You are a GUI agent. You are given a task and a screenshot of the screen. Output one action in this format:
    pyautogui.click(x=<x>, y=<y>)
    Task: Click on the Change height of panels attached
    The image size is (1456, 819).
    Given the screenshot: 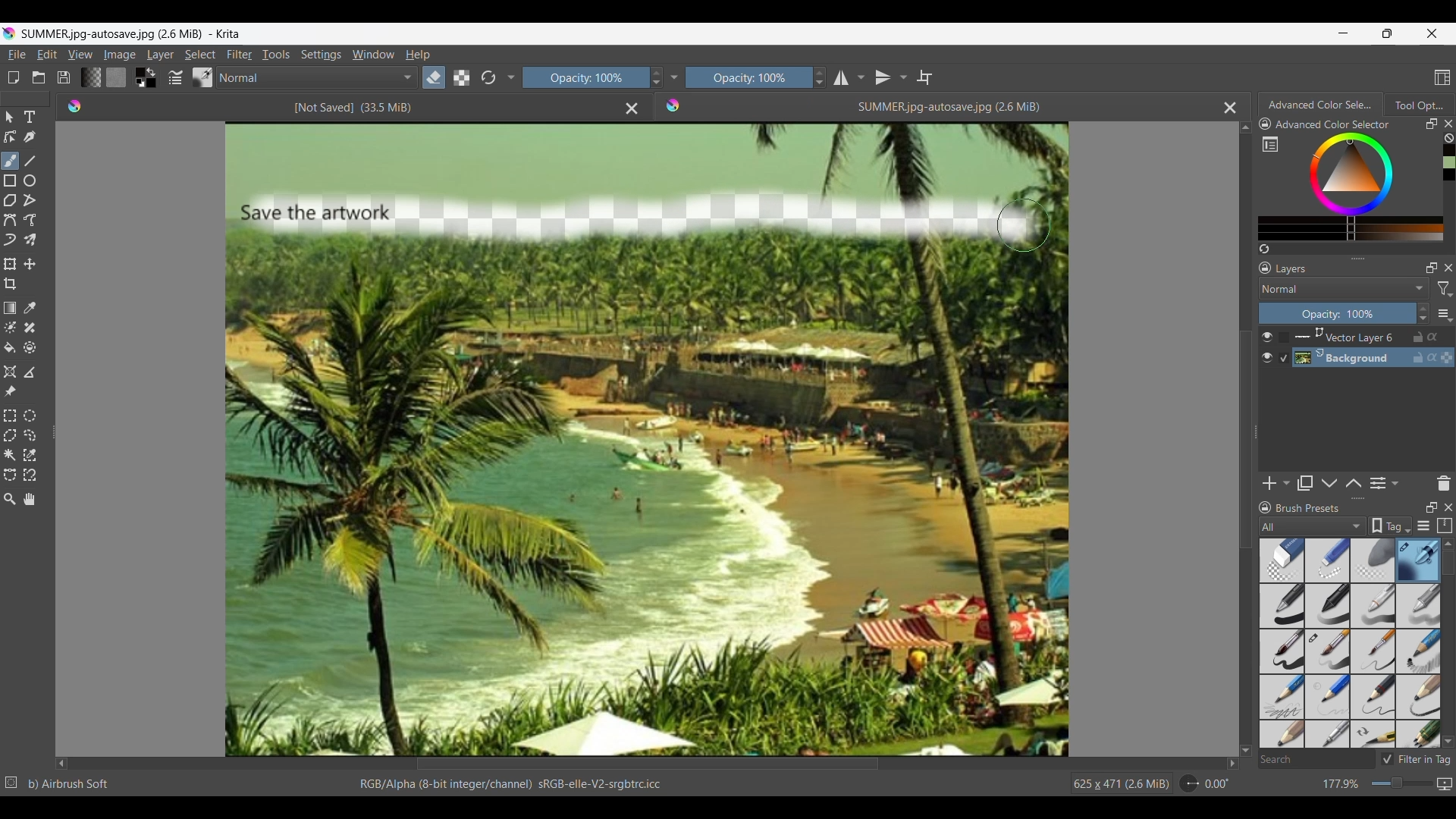 What is the action you would take?
    pyautogui.click(x=1351, y=498)
    